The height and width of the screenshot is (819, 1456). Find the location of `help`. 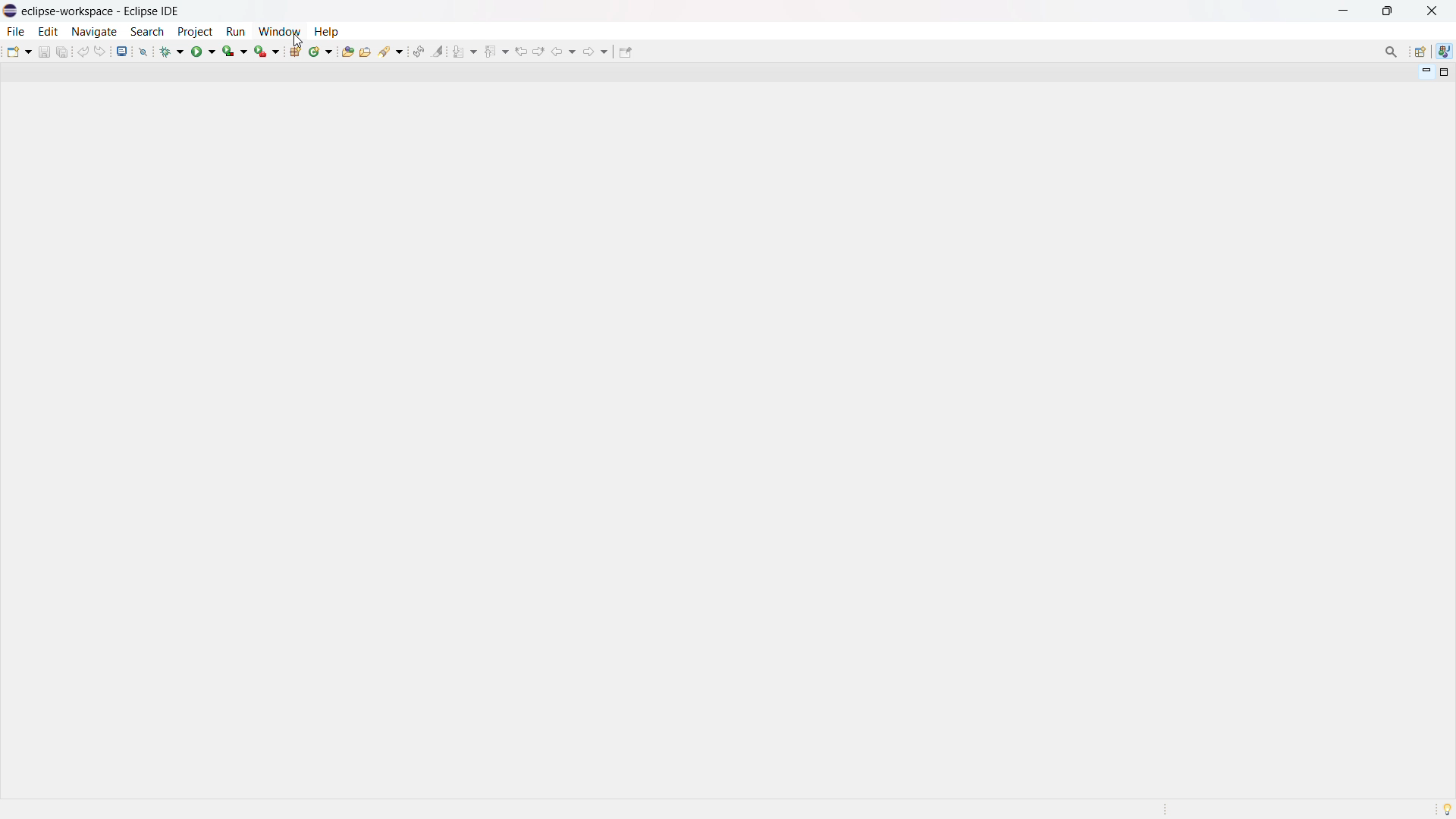

help is located at coordinates (326, 30).